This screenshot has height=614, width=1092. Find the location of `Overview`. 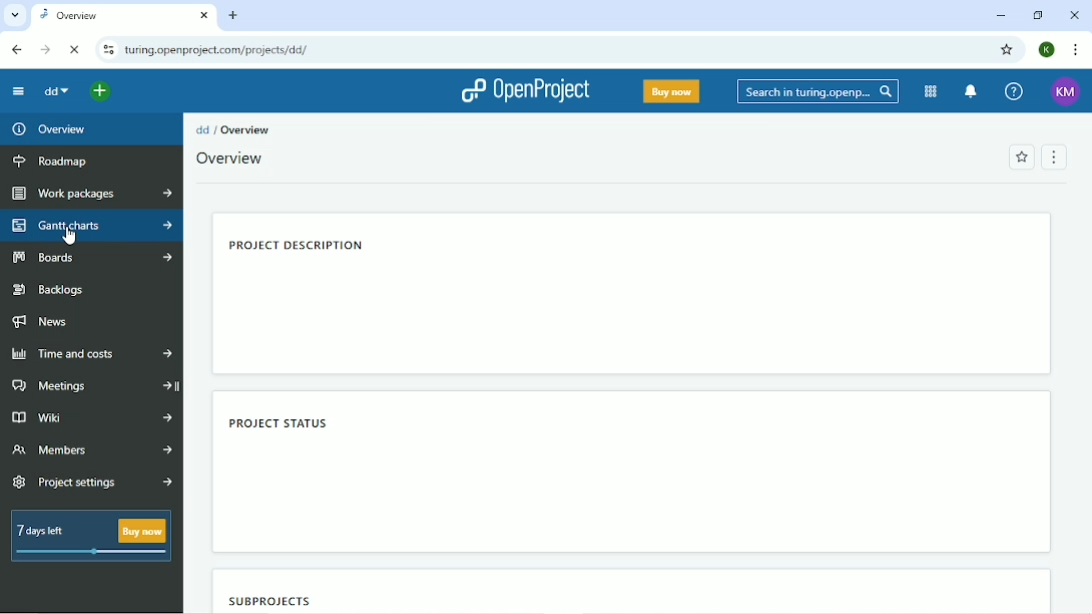

Overview is located at coordinates (230, 158).